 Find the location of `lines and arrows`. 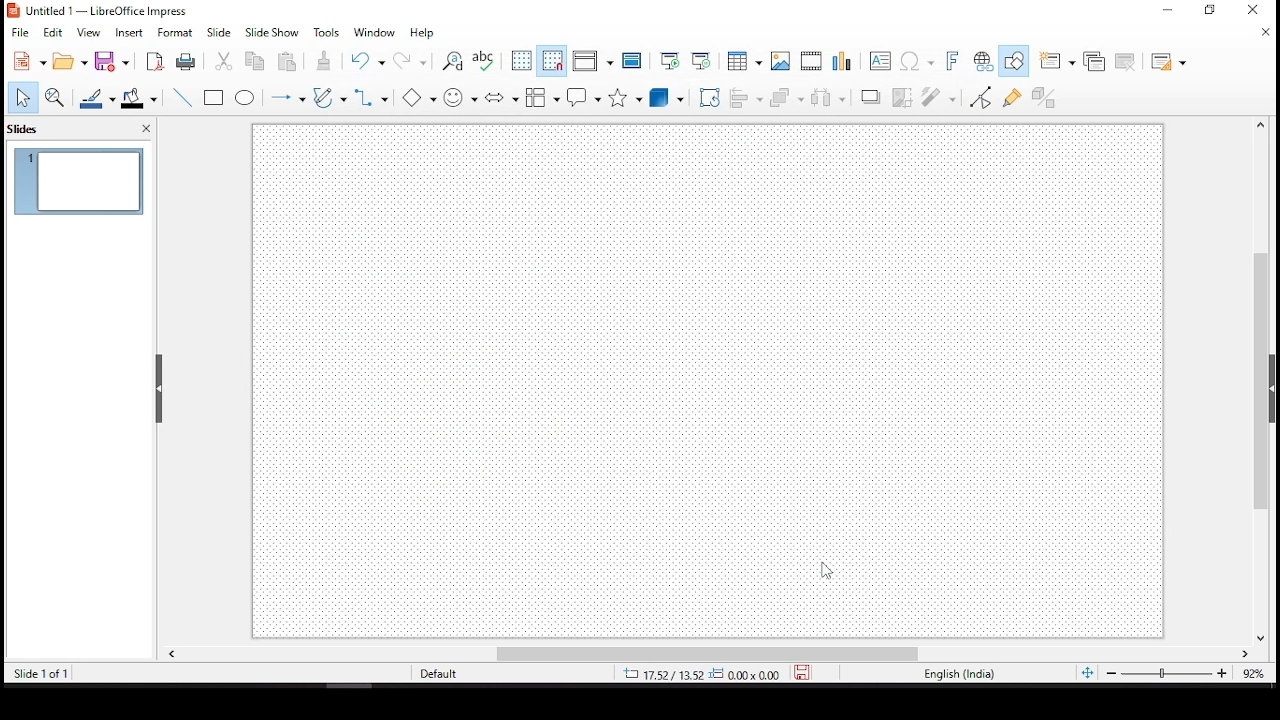

lines and arrows is located at coordinates (287, 96).